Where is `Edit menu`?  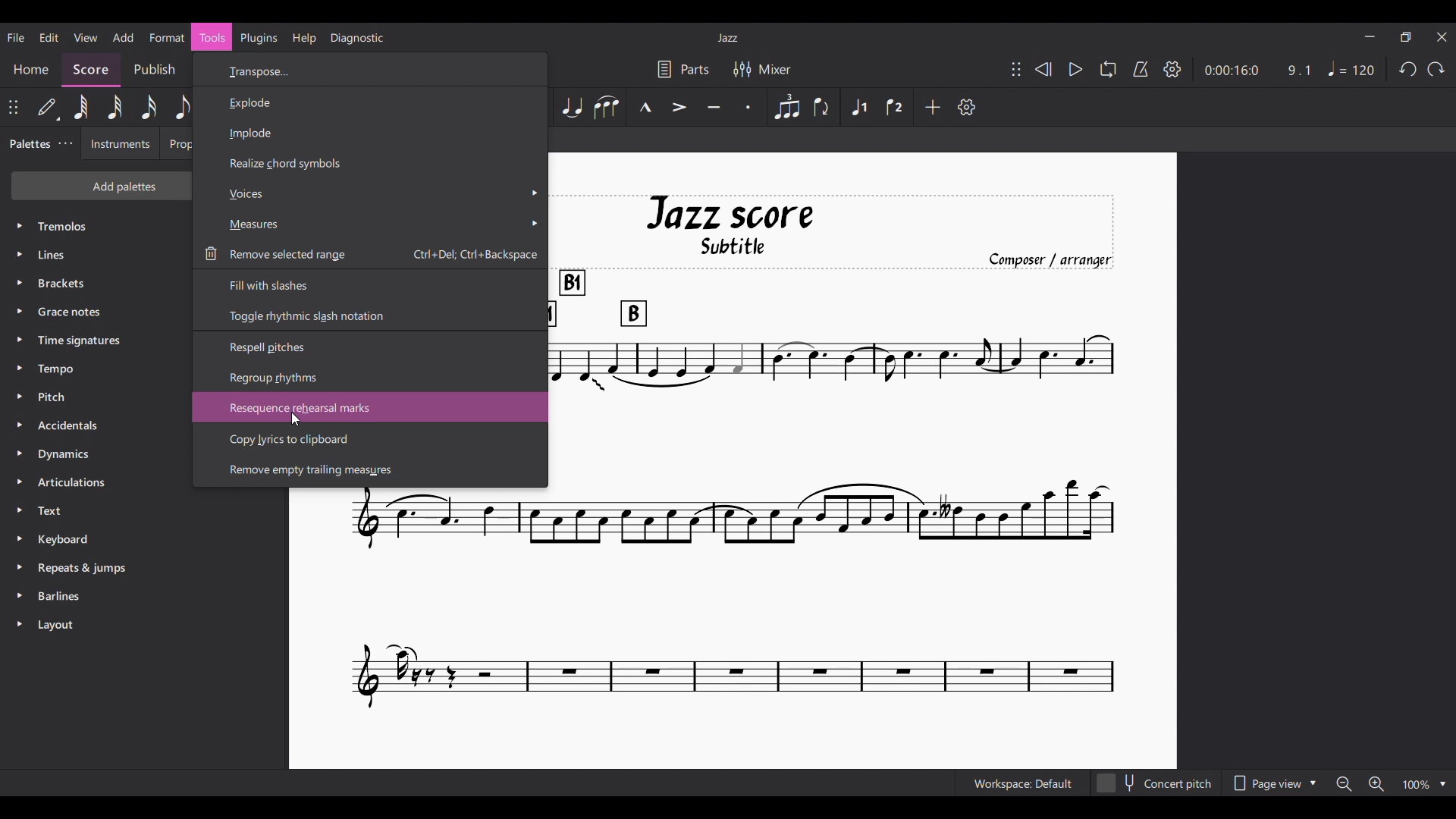
Edit menu is located at coordinates (49, 37).